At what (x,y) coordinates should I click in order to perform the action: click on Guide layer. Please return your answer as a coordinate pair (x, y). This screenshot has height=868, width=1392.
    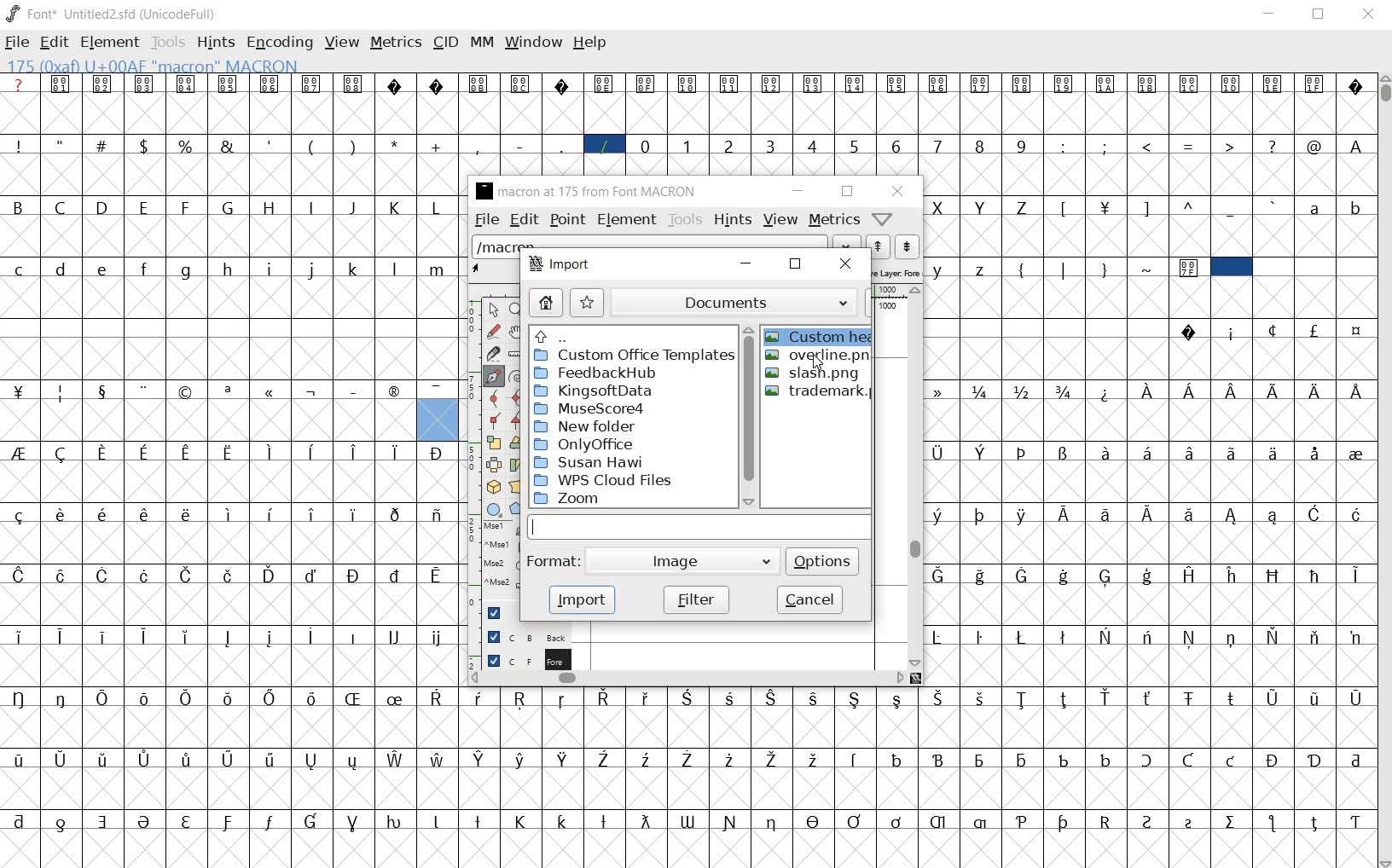
    Looking at the image, I should click on (500, 611).